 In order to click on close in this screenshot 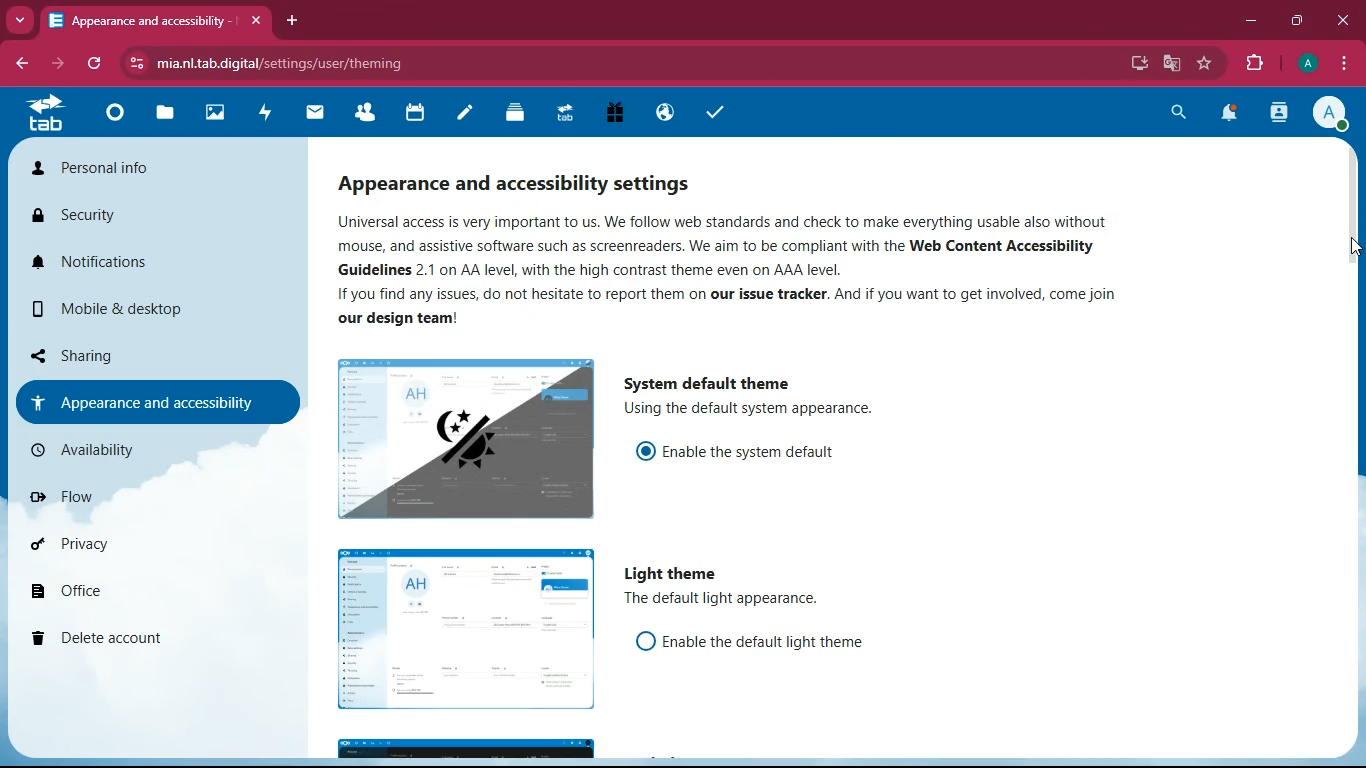, I will do `click(1344, 19)`.